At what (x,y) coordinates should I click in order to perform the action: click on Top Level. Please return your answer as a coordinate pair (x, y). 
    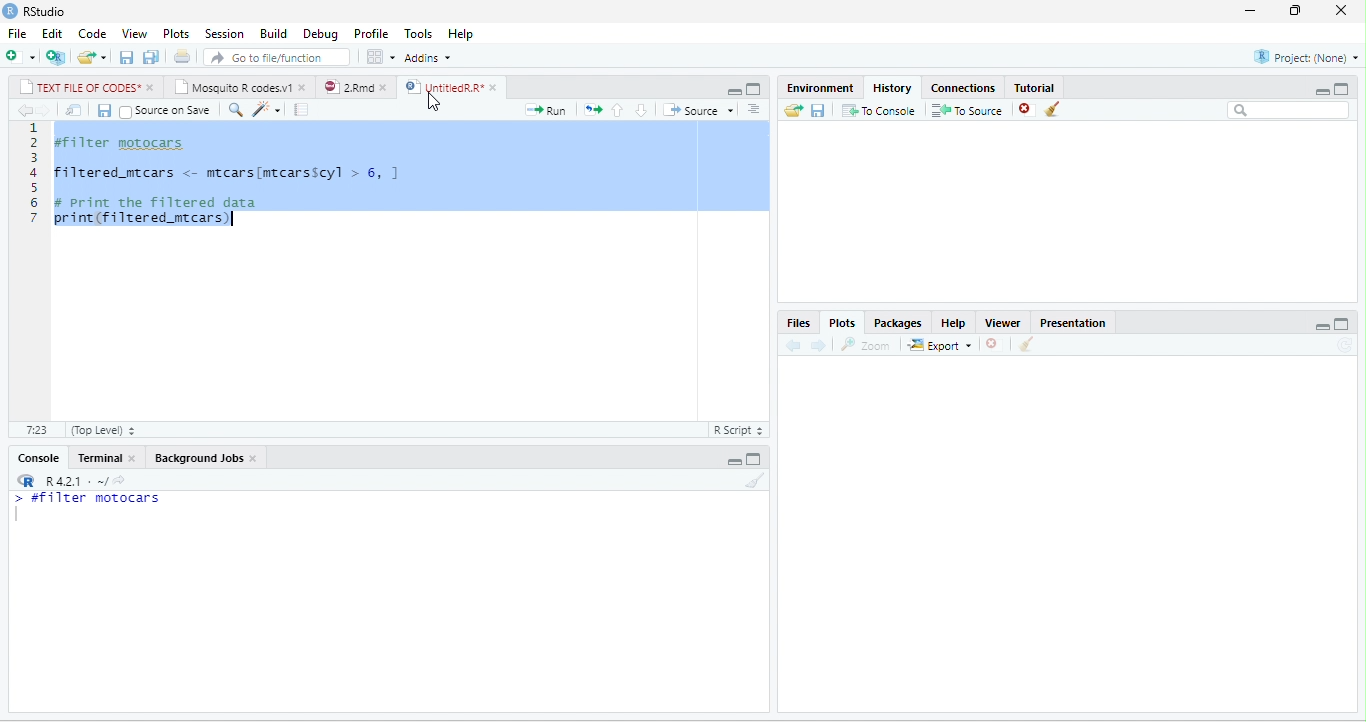
    Looking at the image, I should click on (104, 430).